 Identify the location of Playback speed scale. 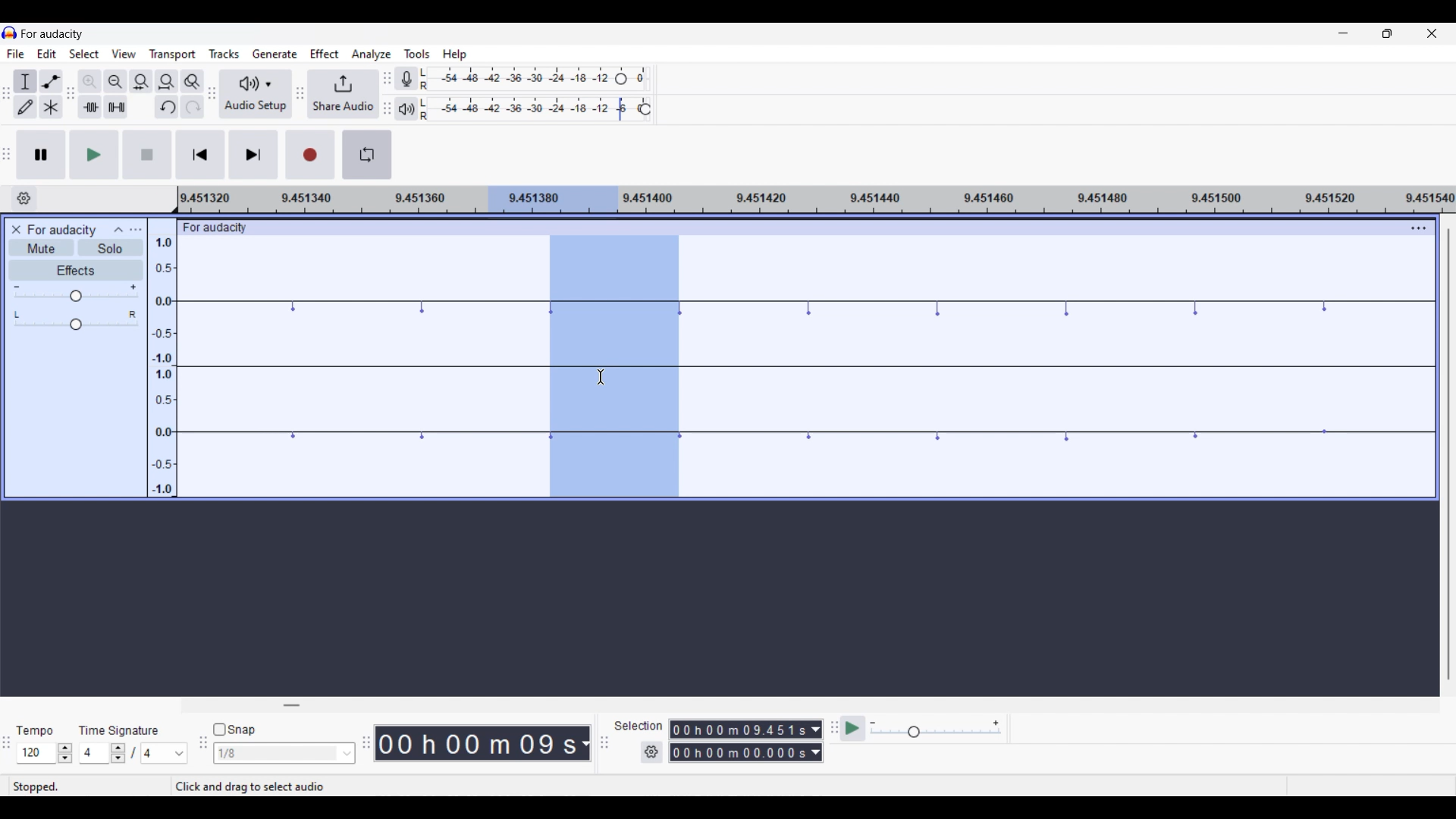
(936, 730).